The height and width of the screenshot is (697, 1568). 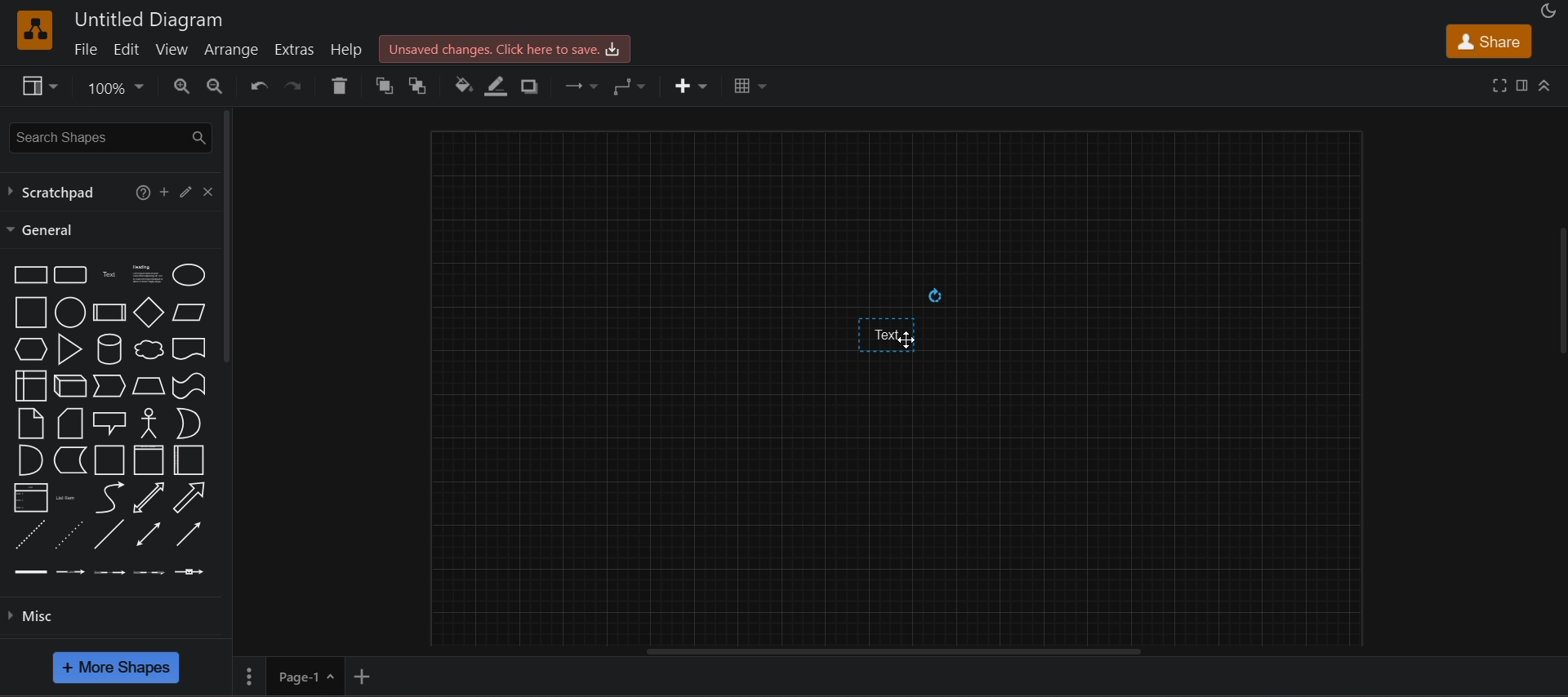 I want to click on redo, so click(x=294, y=86).